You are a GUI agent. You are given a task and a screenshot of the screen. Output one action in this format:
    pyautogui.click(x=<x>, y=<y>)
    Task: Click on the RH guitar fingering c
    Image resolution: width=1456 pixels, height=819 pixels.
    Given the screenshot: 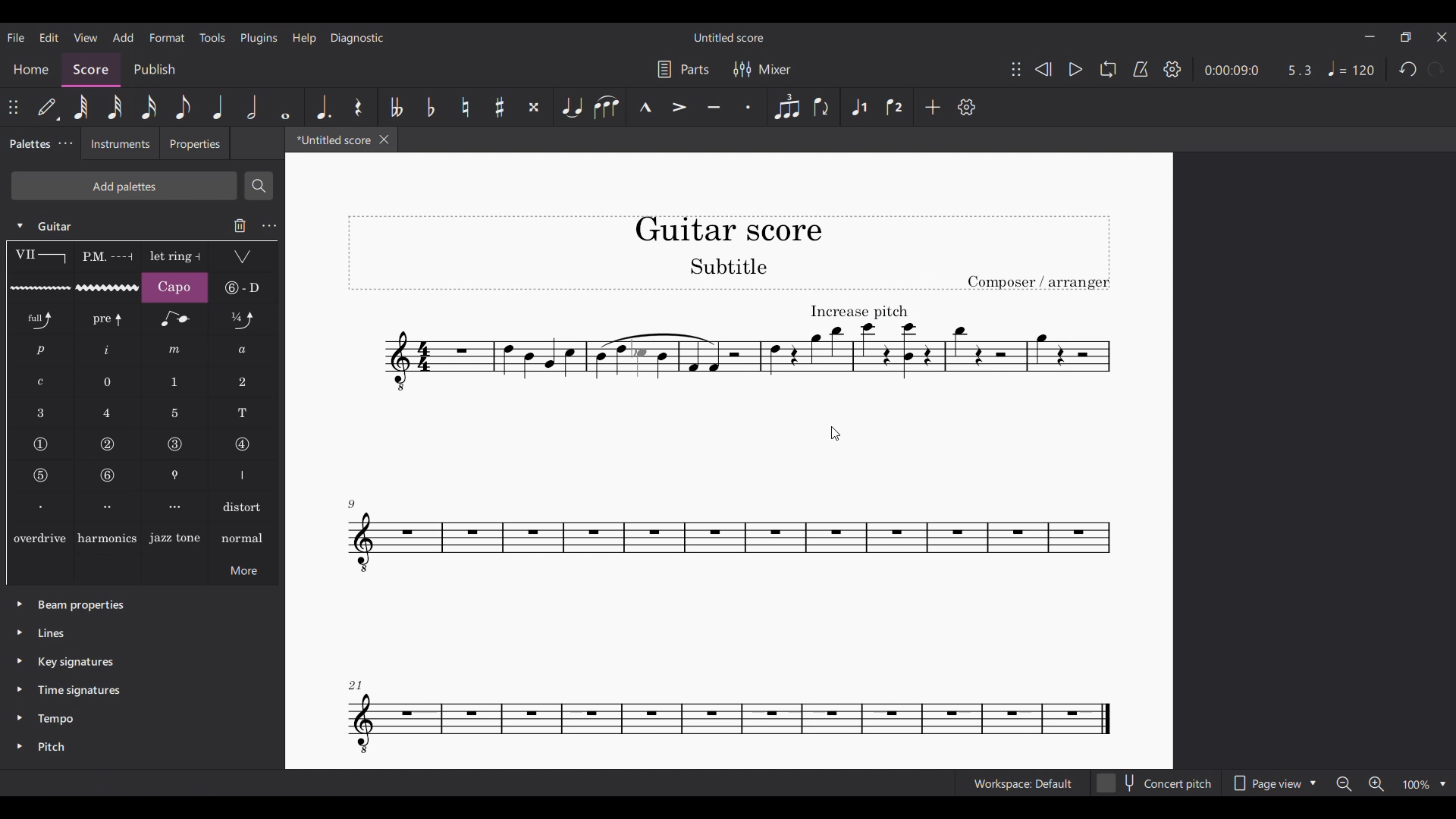 What is the action you would take?
    pyautogui.click(x=41, y=382)
    